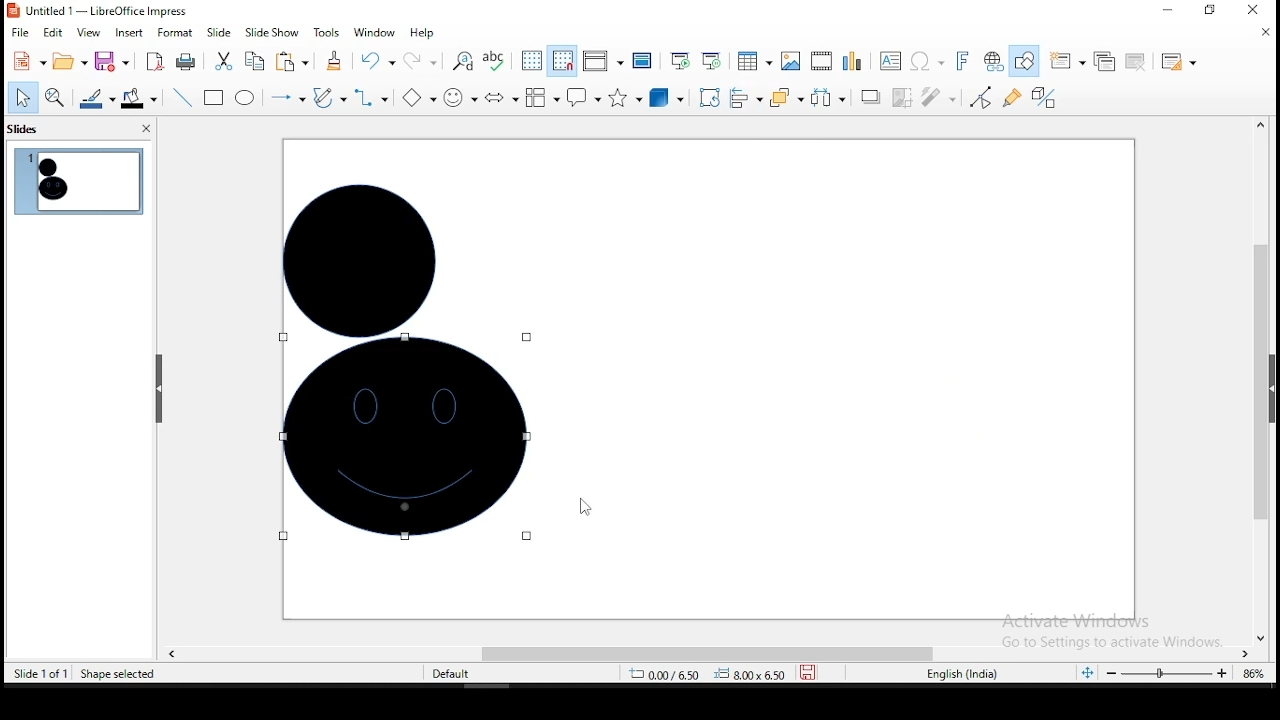  Describe the element at coordinates (500, 97) in the screenshot. I see `block arrows` at that location.